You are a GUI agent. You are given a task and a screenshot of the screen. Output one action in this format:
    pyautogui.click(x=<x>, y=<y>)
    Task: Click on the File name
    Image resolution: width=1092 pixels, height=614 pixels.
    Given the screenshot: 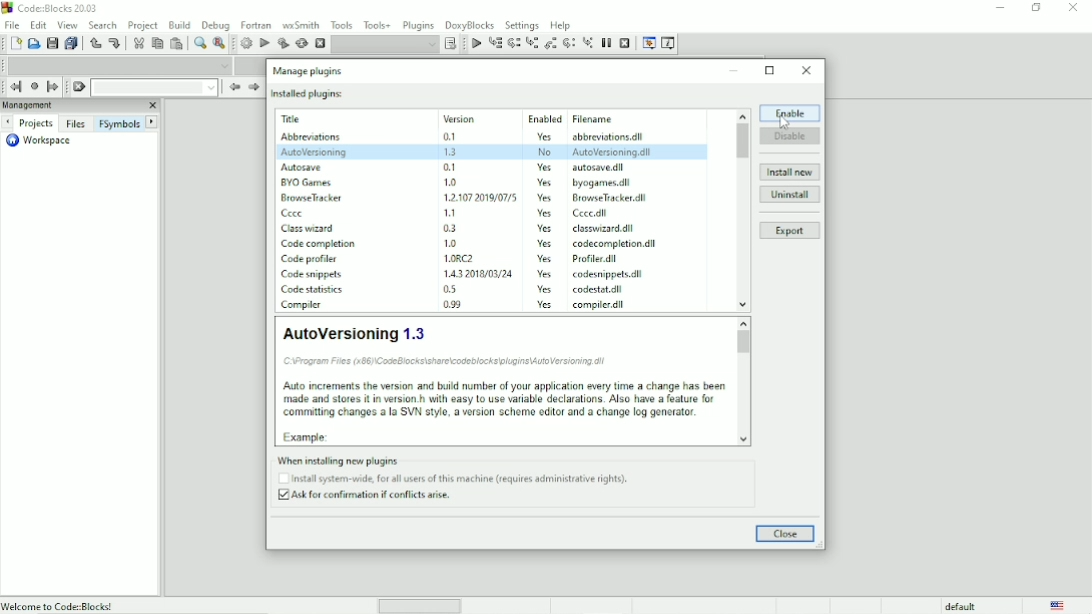 What is the action you would take?
    pyautogui.click(x=617, y=119)
    